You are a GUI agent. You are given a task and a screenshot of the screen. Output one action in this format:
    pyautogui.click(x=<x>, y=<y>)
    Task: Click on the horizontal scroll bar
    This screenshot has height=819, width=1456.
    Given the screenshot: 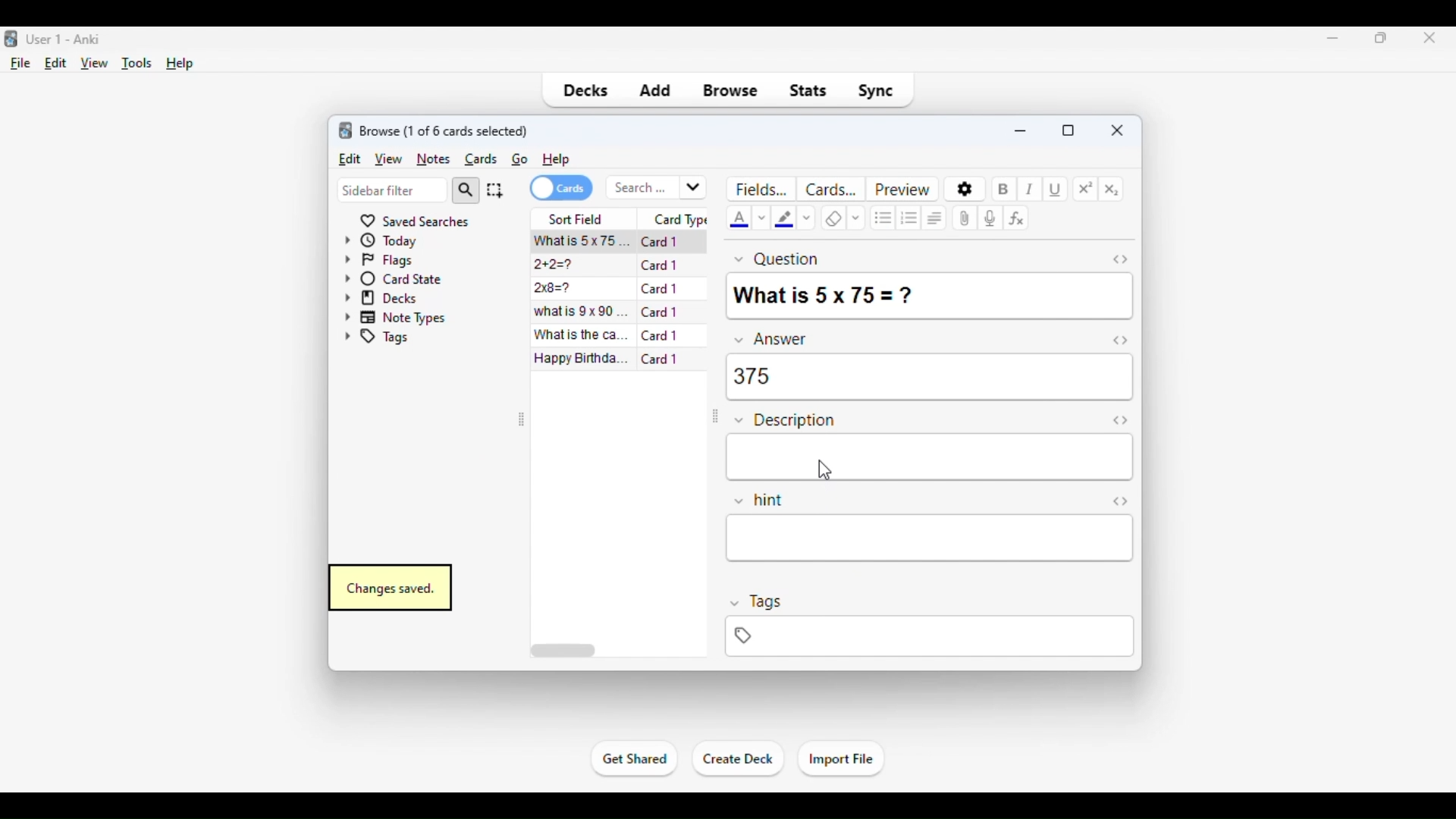 What is the action you would take?
    pyautogui.click(x=565, y=651)
    